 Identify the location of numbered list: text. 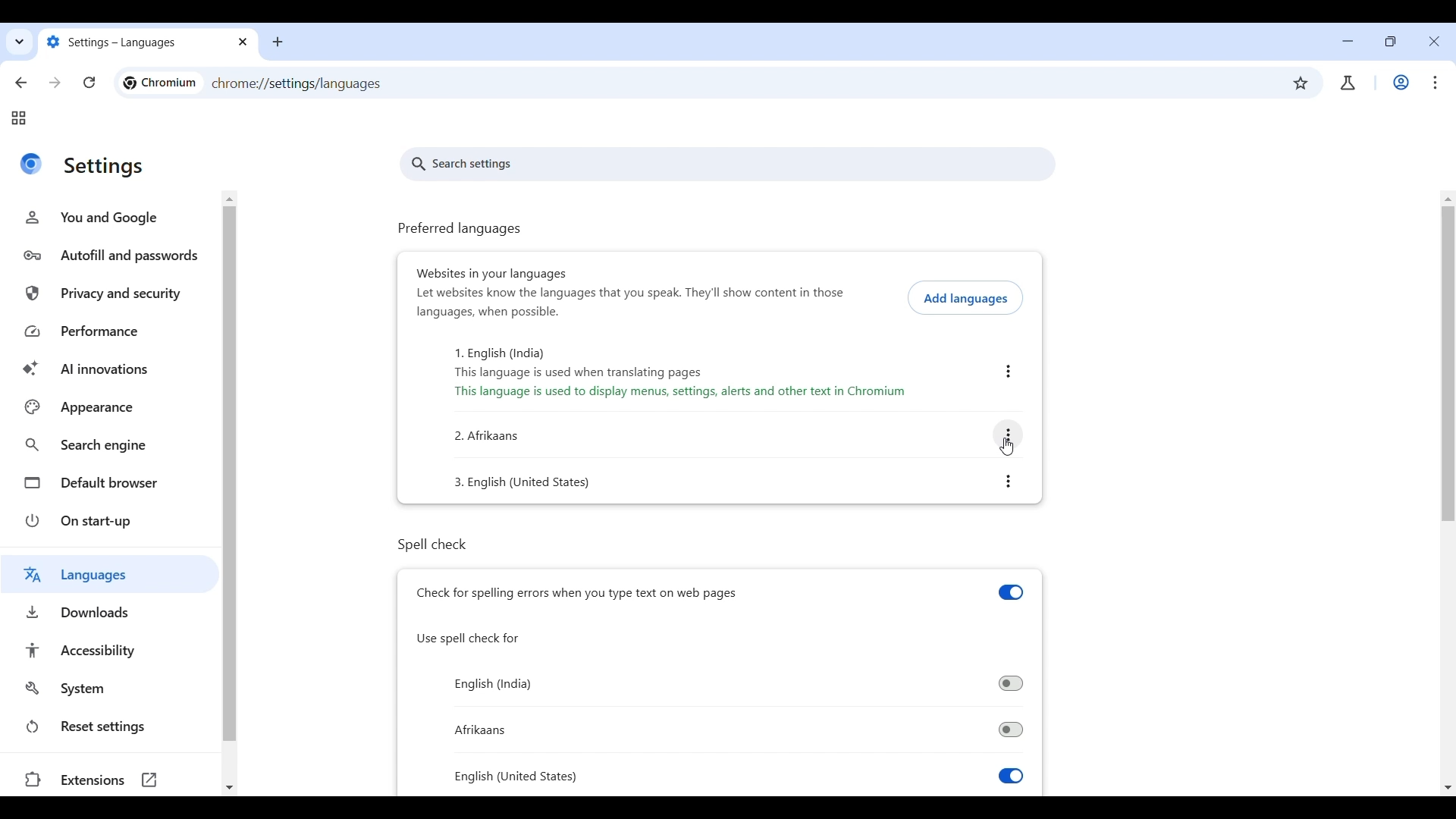
(488, 437).